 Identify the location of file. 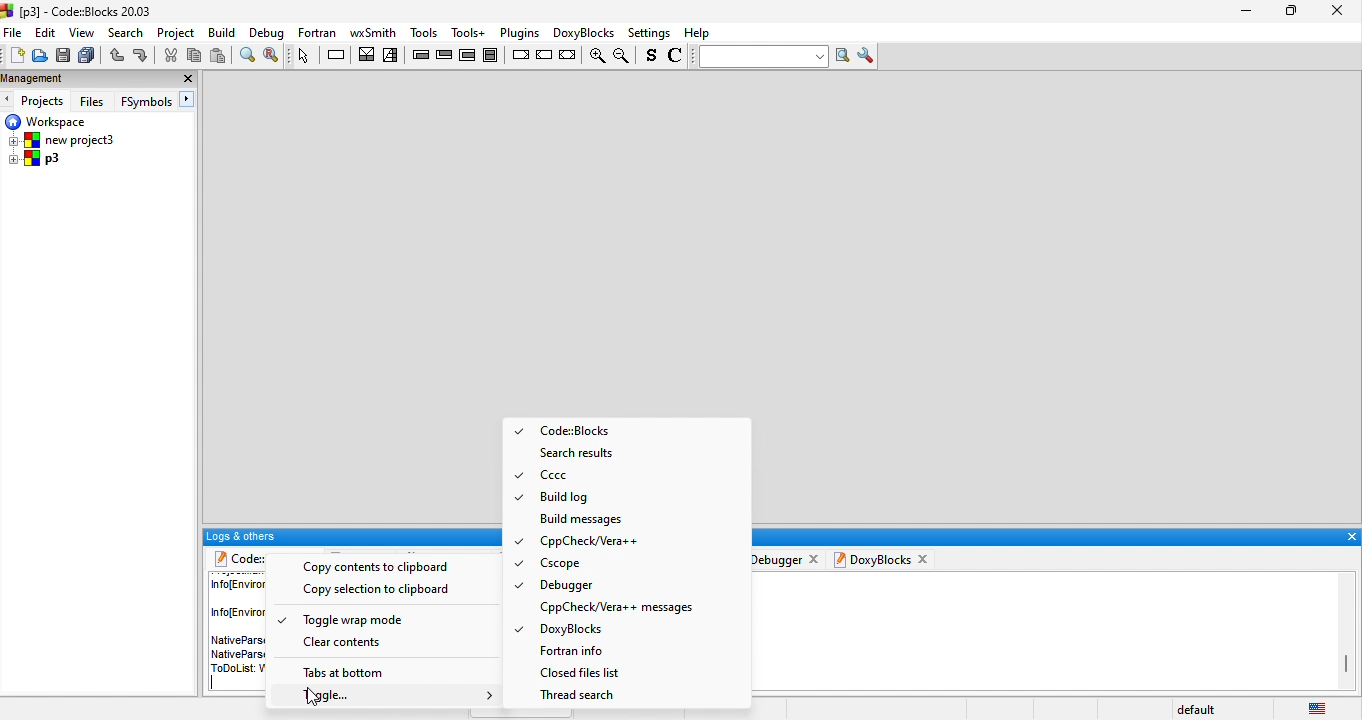
(14, 32).